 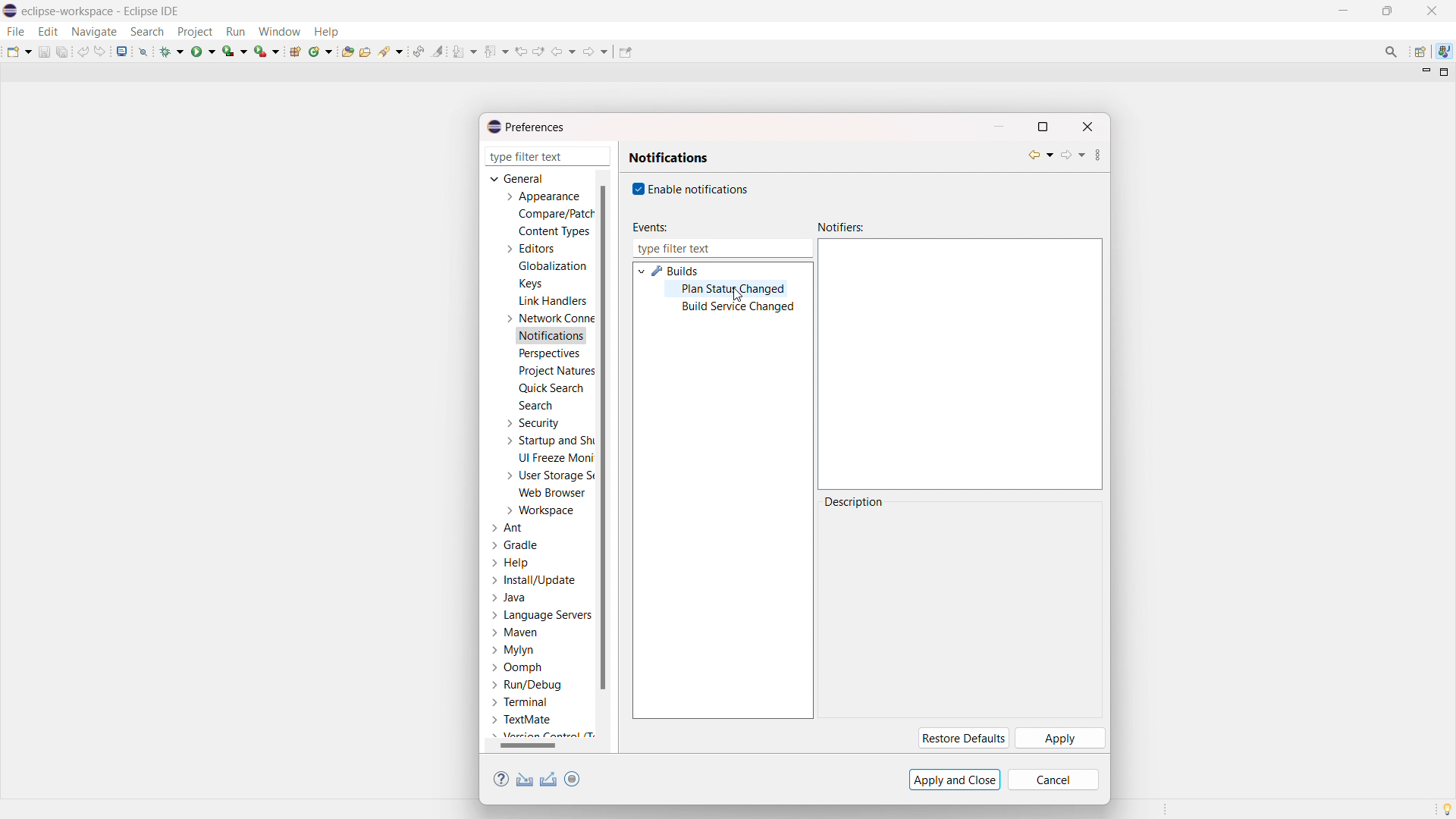 What do you see at coordinates (11, 11) in the screenshot?
I see `logo` at bounding box center [11, 11].